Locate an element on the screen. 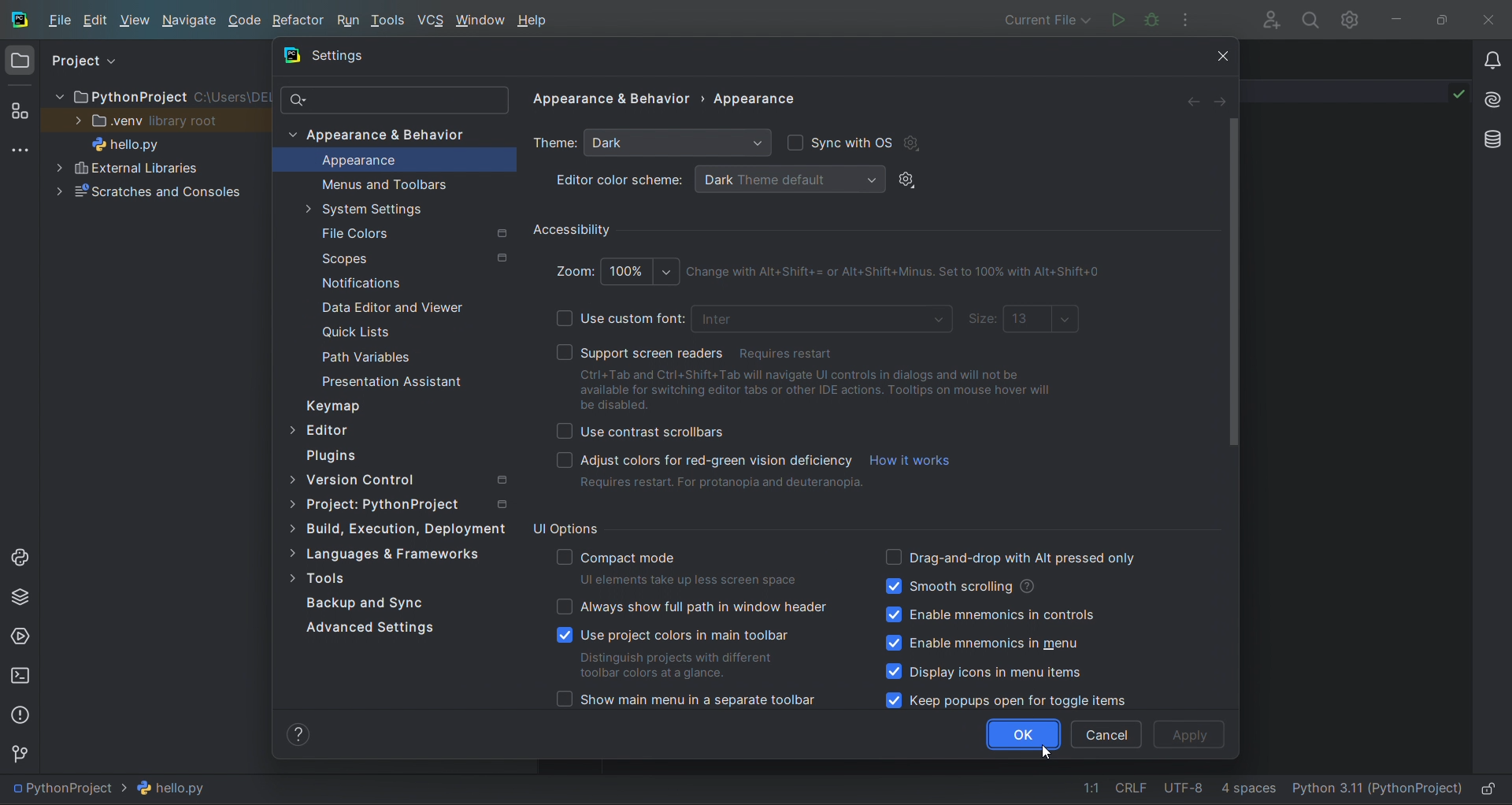 This screenshot has width=1512, height=805. problems is located at coordinates (17, 712).